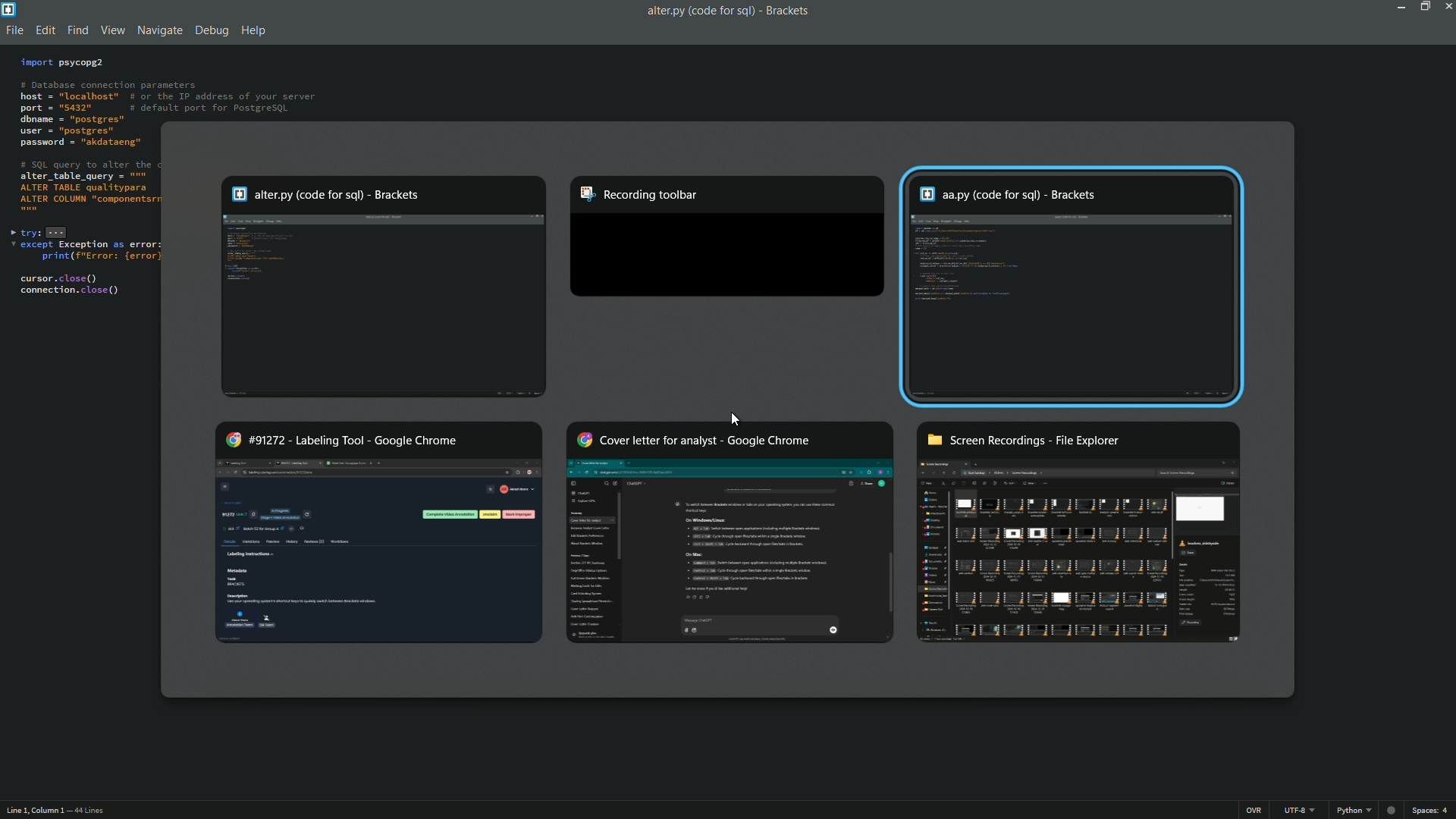 The width and height of the screenshot is (1456, 819). Describe the element at coordinates (157, 30) in the screenshot. I see `navigate menu` at that location.